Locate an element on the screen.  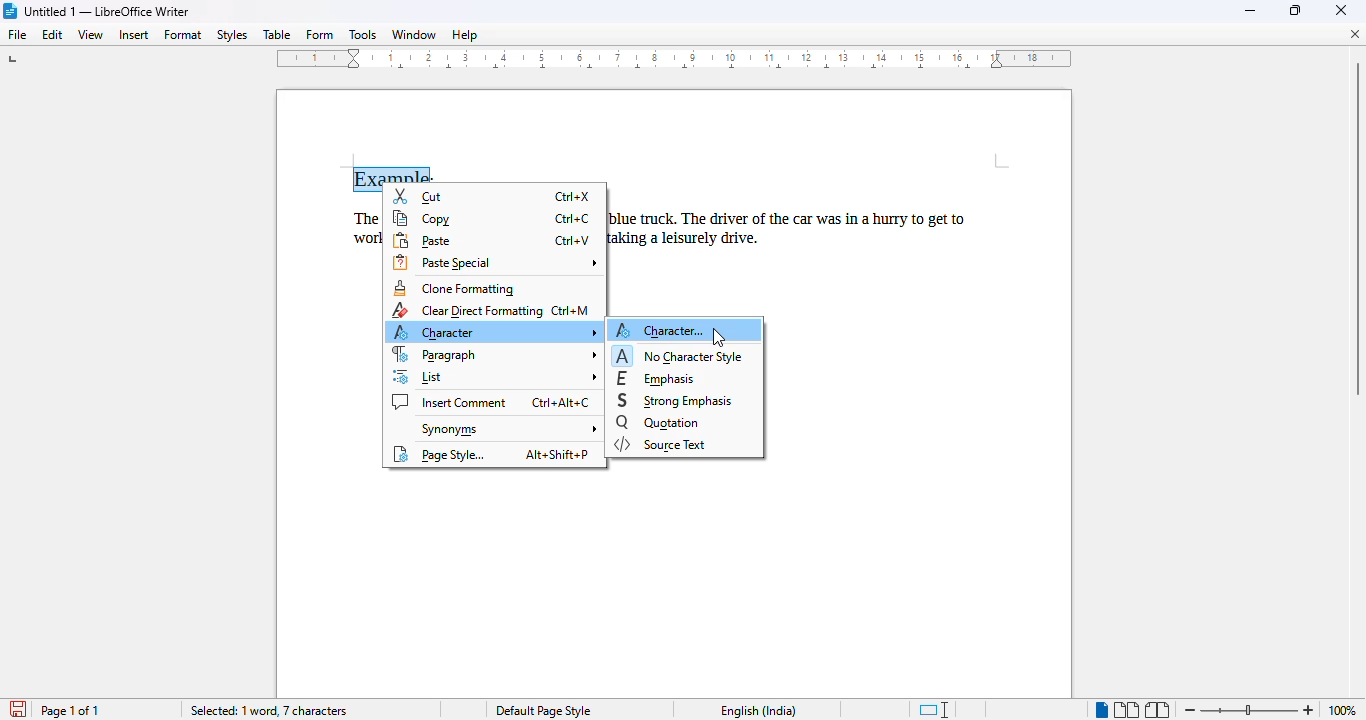
Zoom in is located at coordinates (1310, 707).